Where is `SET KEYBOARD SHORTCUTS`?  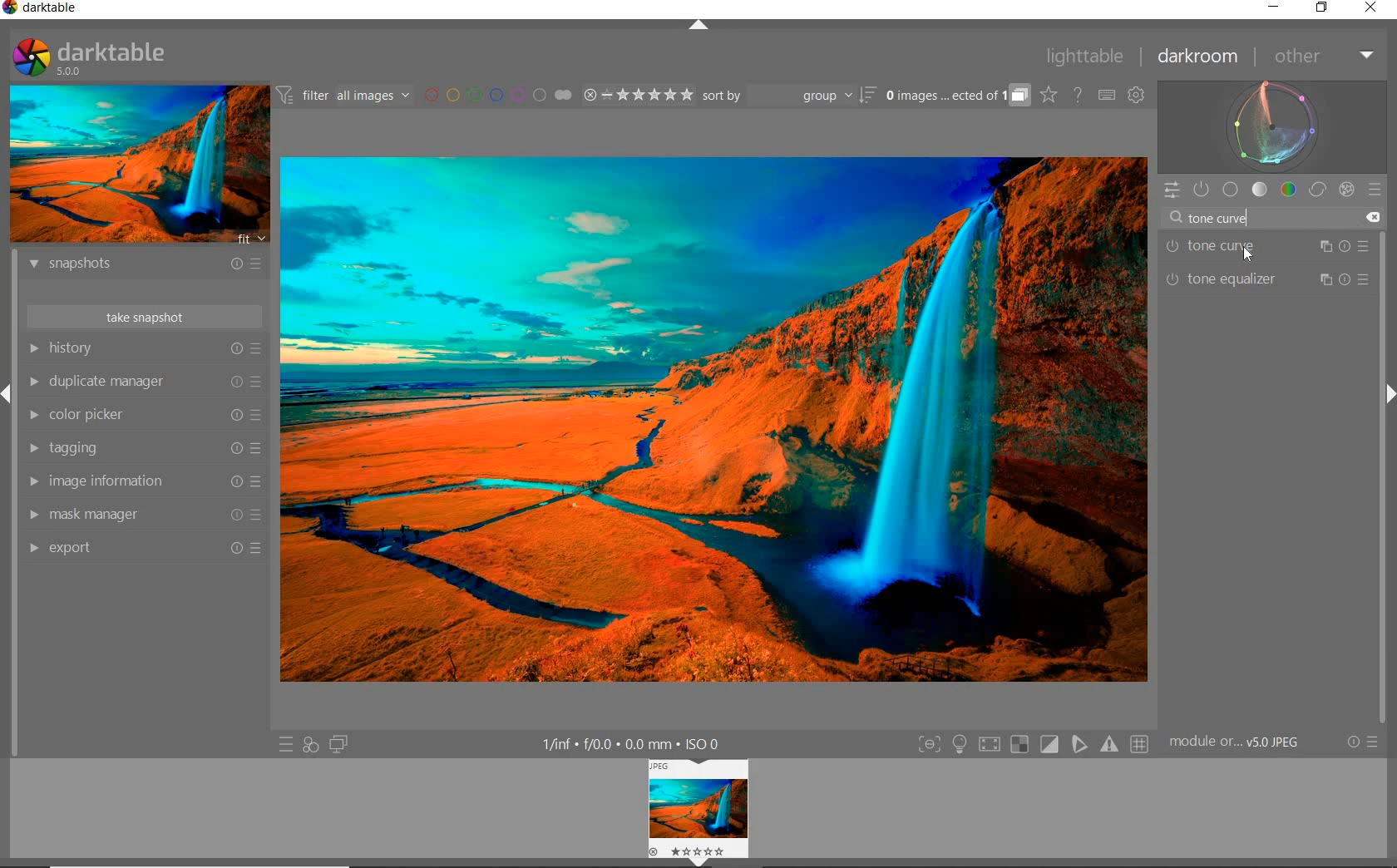
SET KEYBOARD SHORTCUTS is located at coordinates (1108, 96).